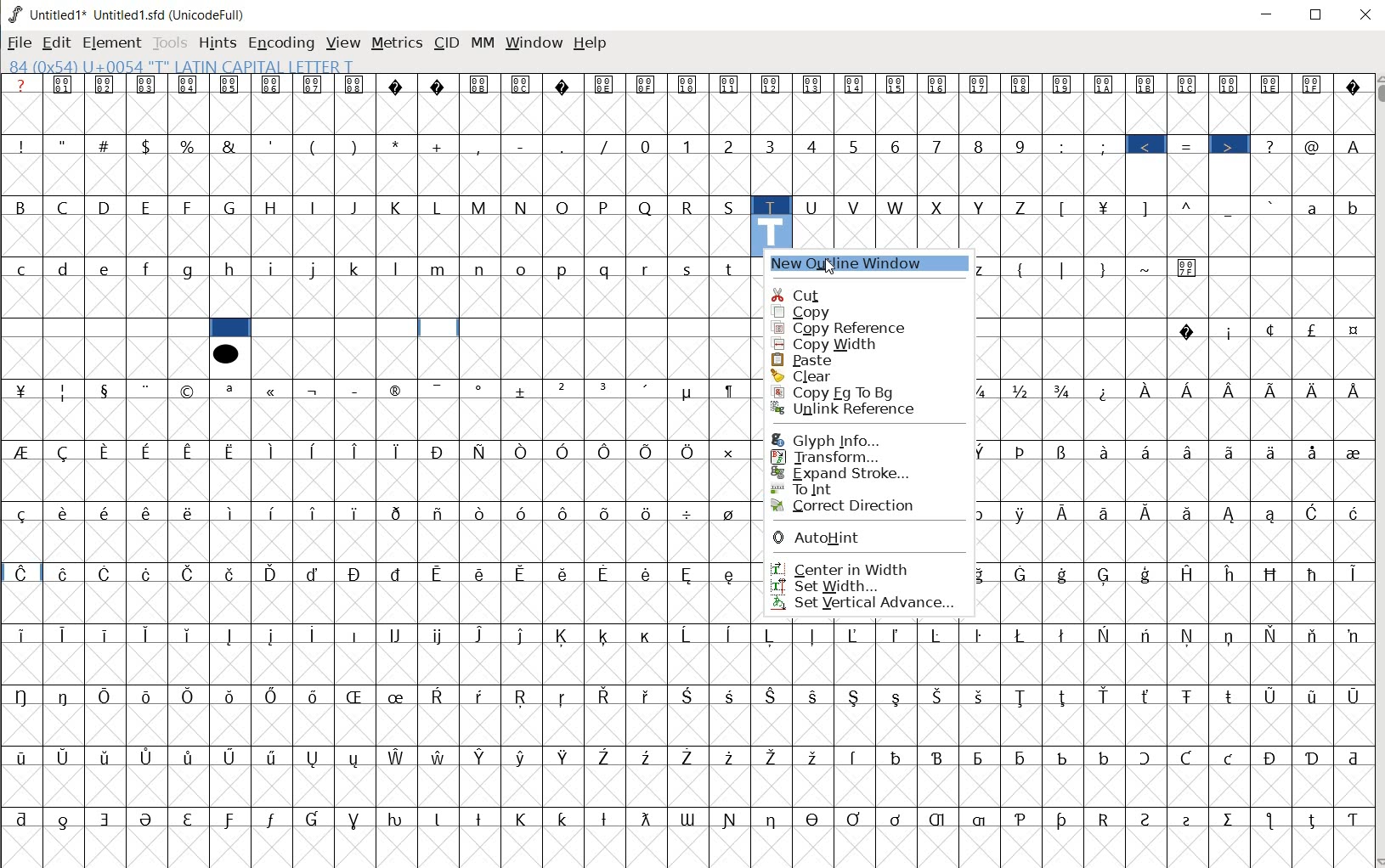  I want to click on center in width, so click(840, 566).